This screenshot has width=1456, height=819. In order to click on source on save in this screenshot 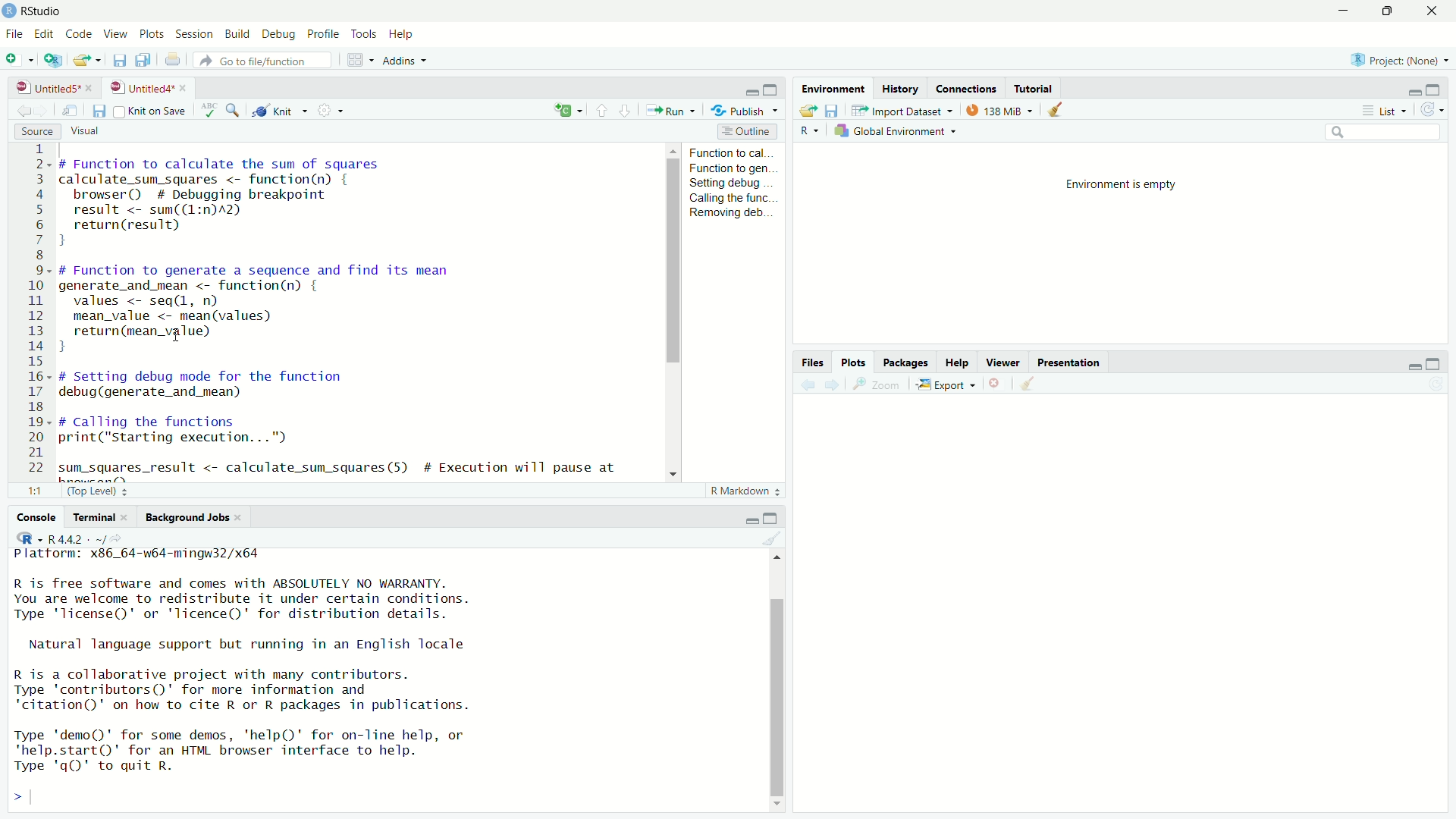, I will do `click(149, 111)`.